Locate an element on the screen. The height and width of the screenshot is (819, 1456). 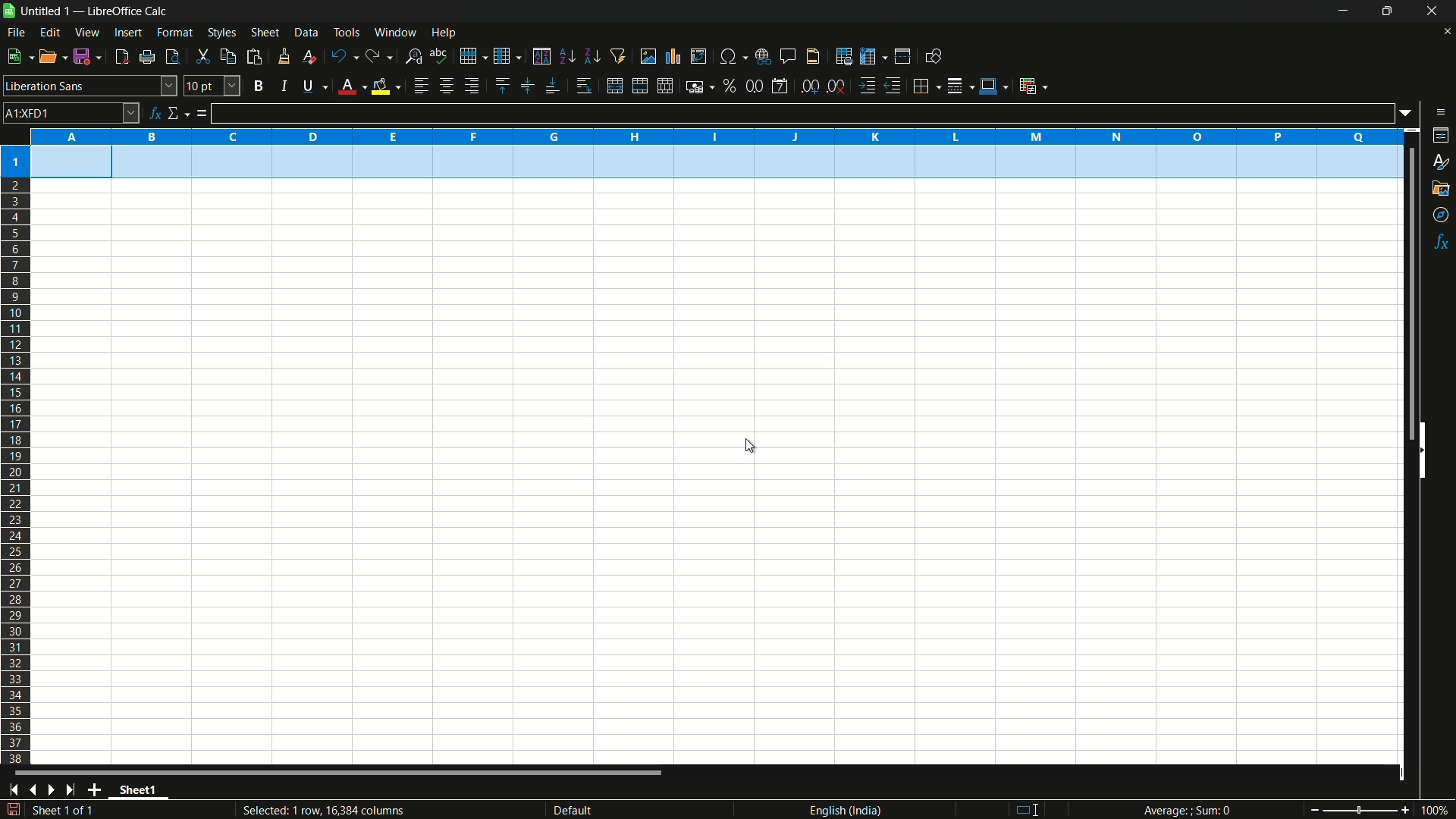
font name is located at coordinates (90, 86).